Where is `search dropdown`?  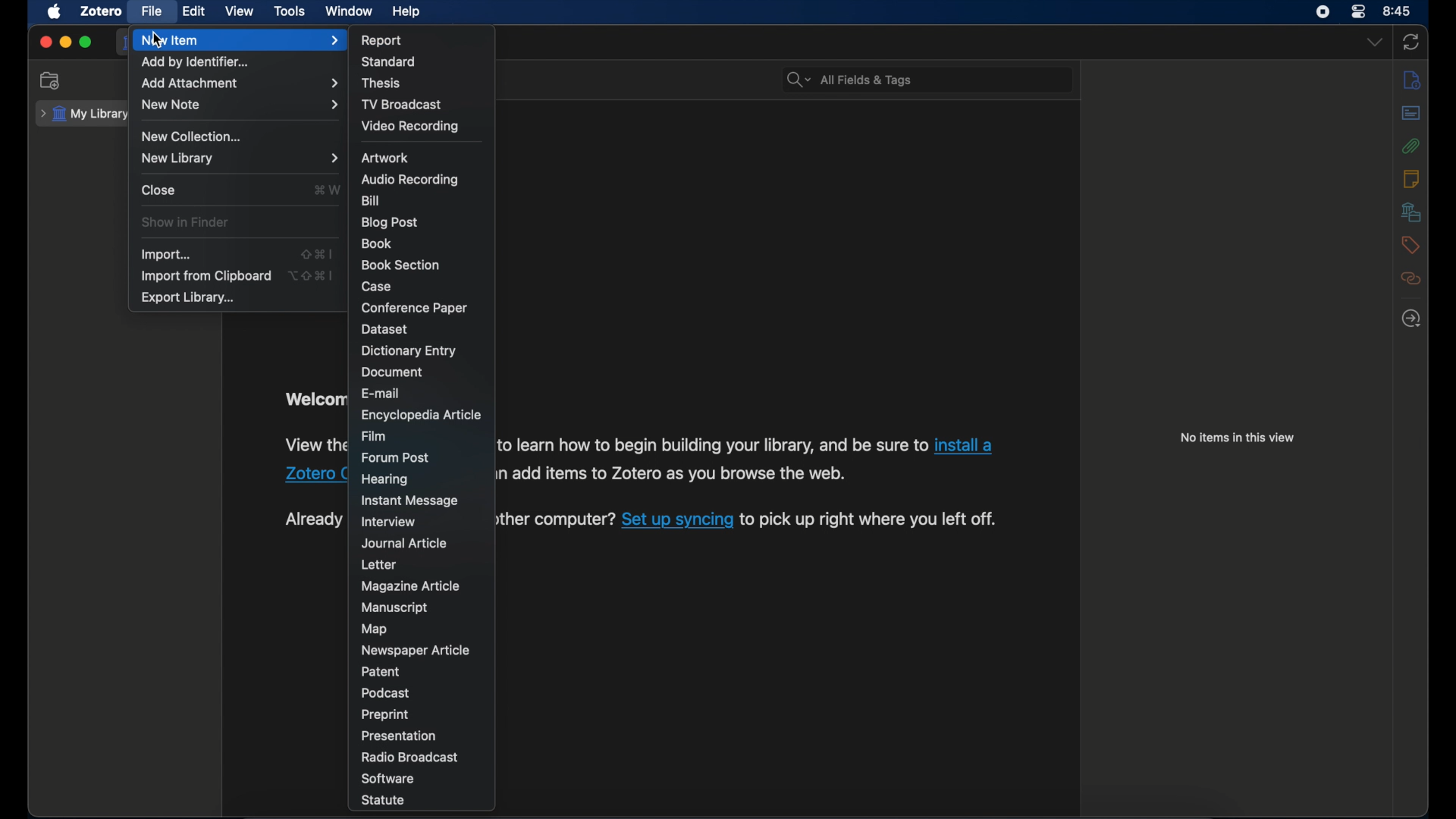
search dropdown is located at coordinates (799, 81).